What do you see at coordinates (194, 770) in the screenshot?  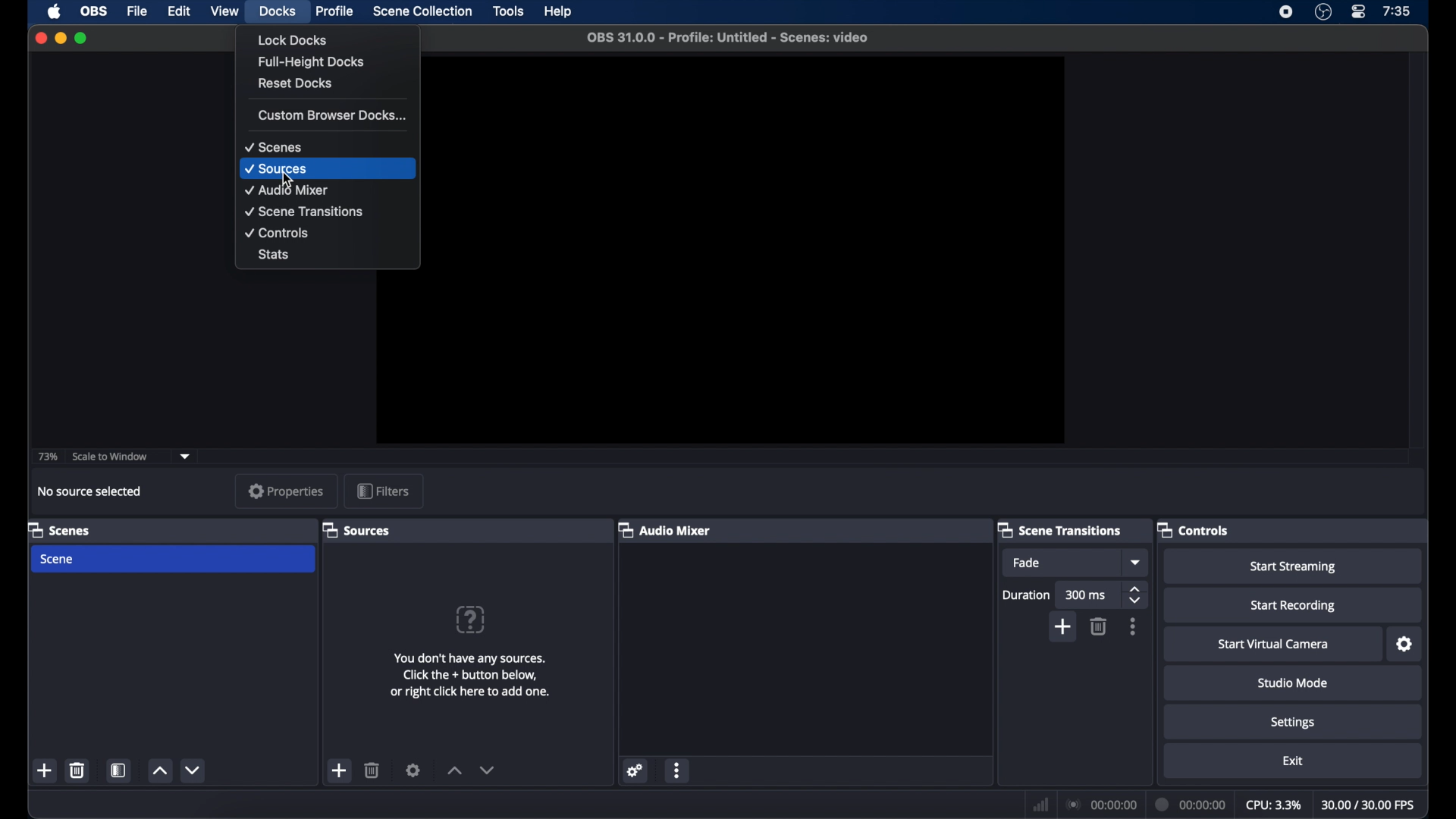 I see `decrement` at bounding box center [194, 770].